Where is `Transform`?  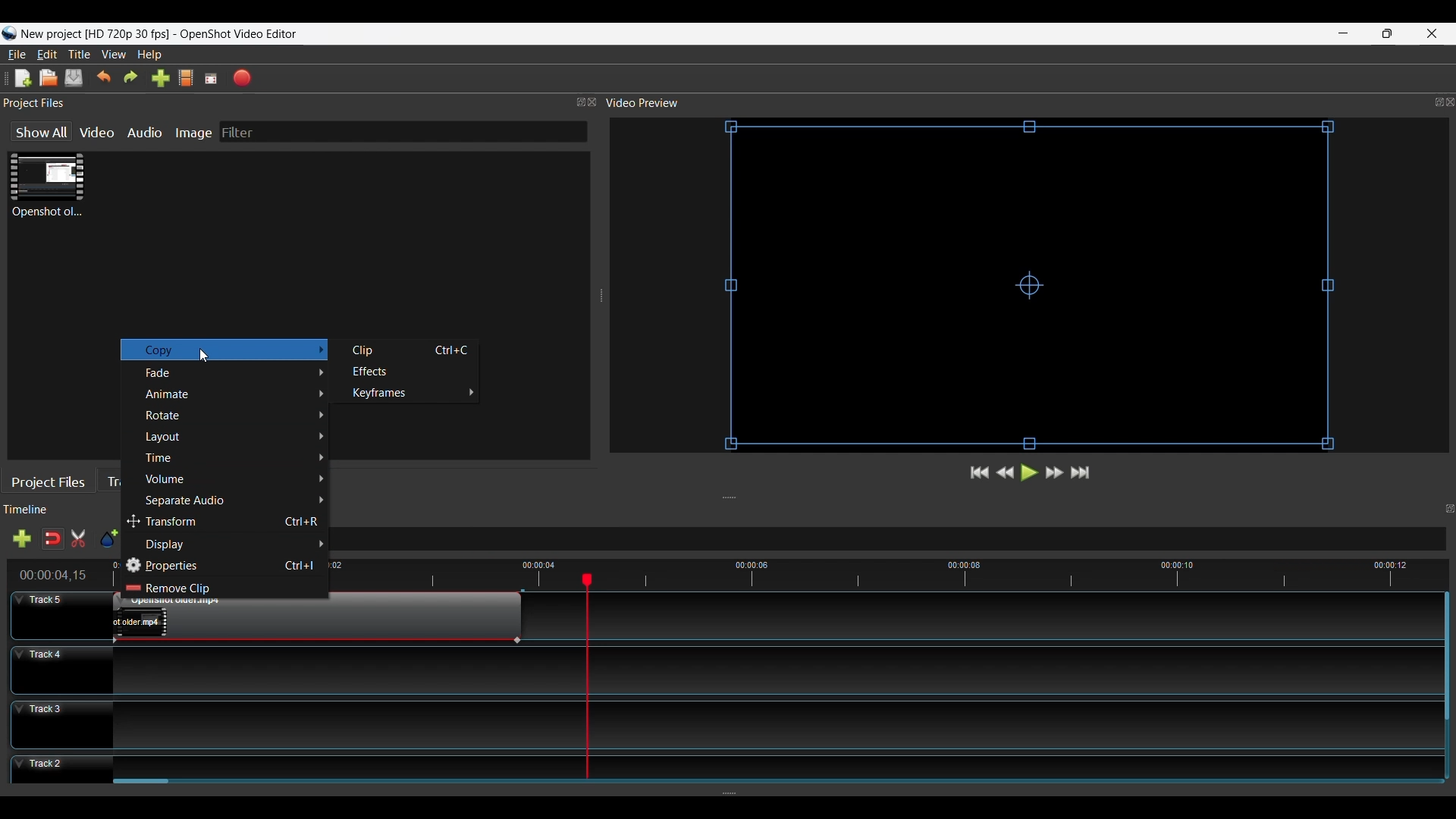
Transform is located at coordinates (227, 521).